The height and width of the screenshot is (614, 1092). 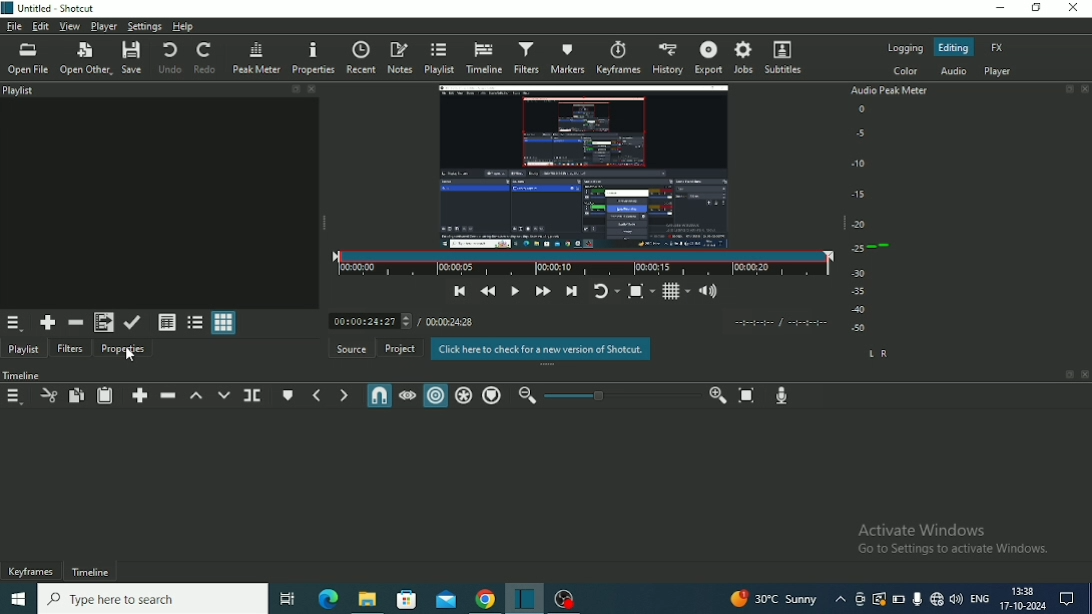 I want to click on Playlist, so click(x=438, y=58).